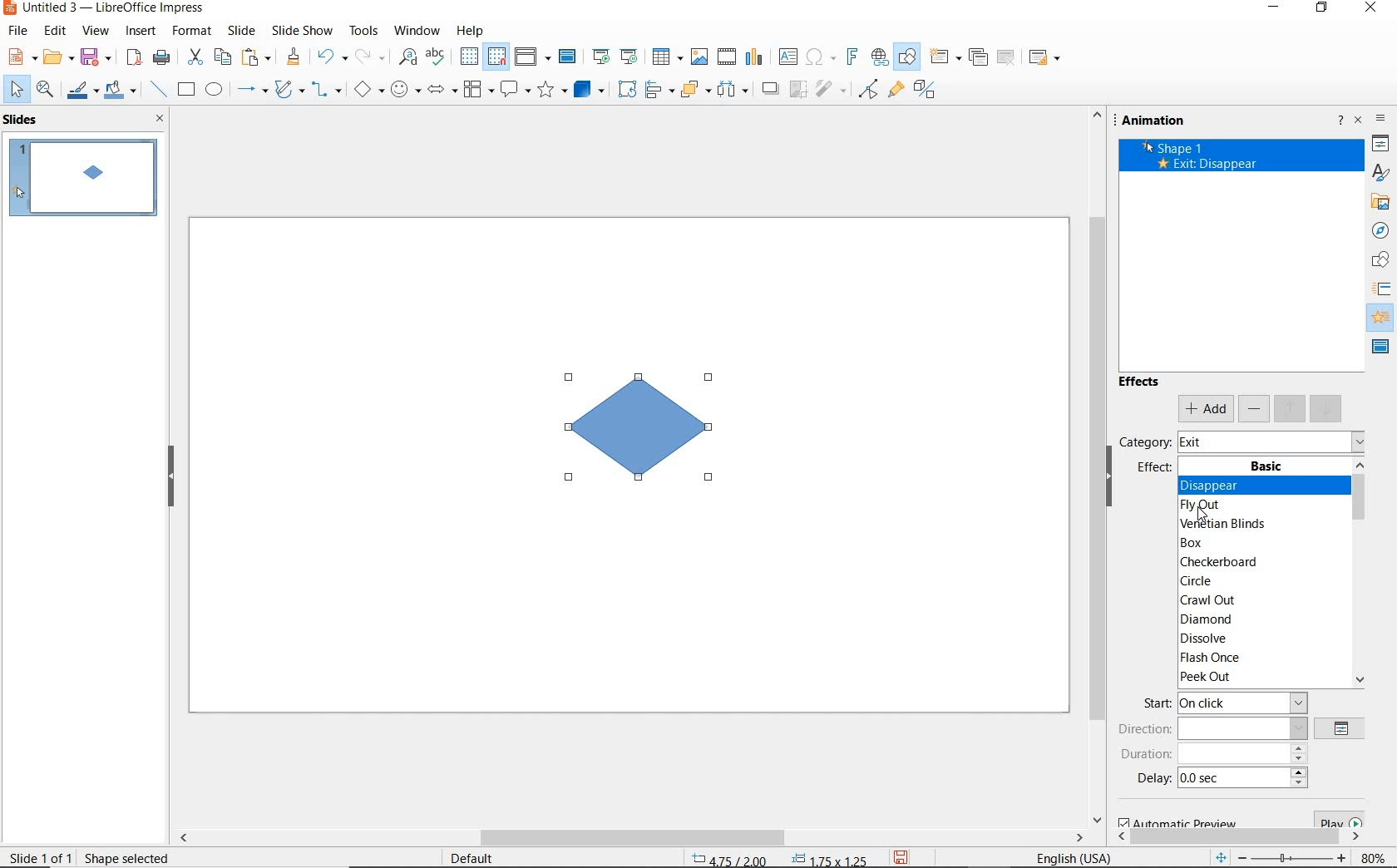  Describe the element at coordinates (365, 32) in the screenshot. I see `tools` at that location.